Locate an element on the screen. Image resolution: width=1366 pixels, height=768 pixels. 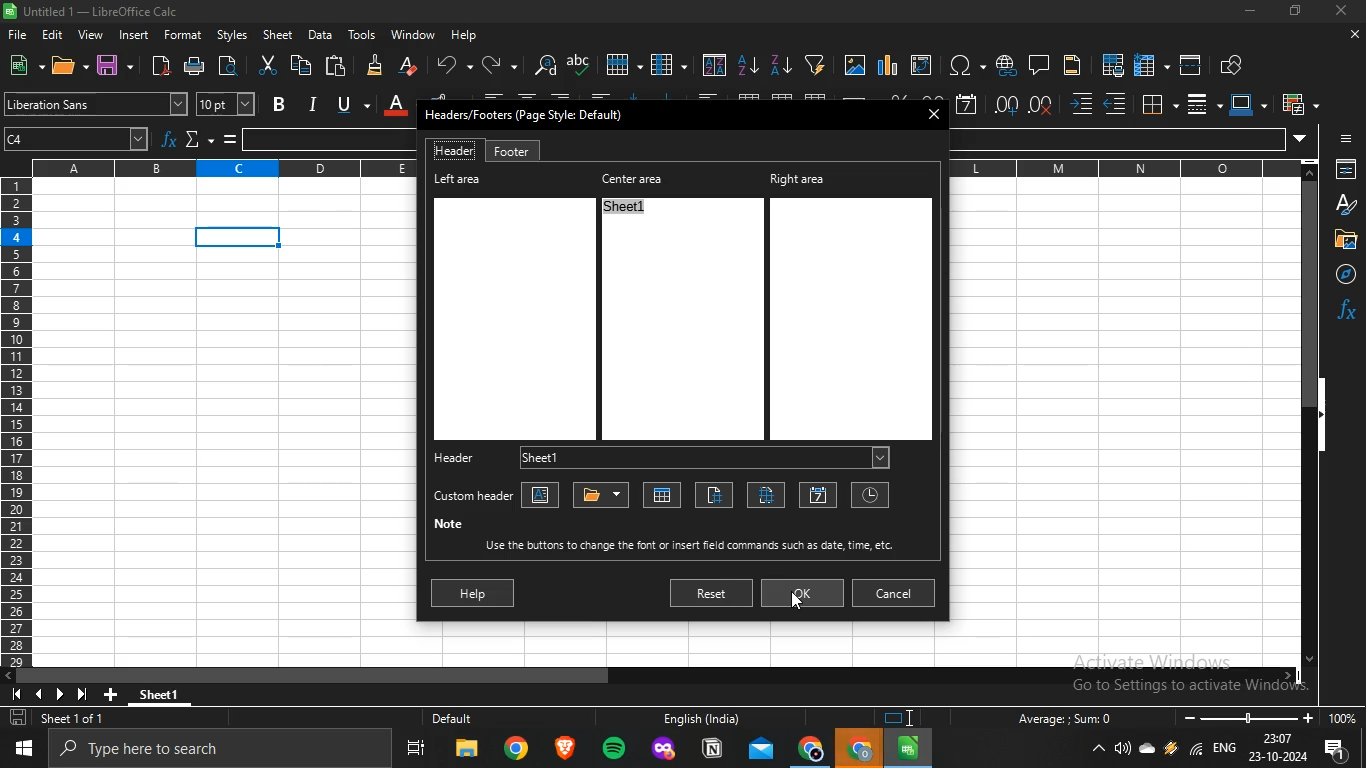
libreoffice calc is located at coordinates (909, 748).